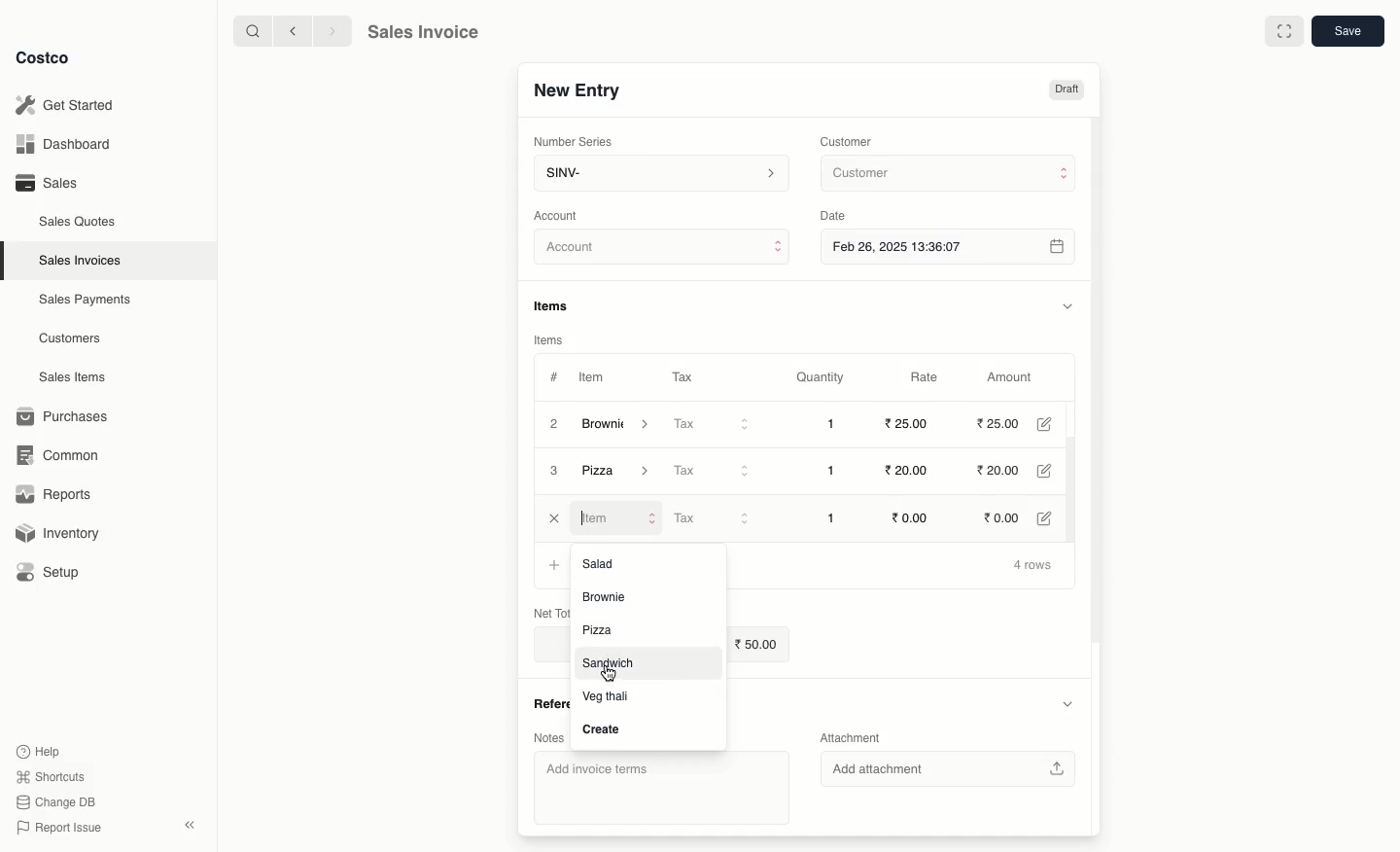 This screenshot has width=1400, height=852. What do you see at coordinates (64, 104) in the screenshot?
I see `Get Started` at bounding box center [64, 104].